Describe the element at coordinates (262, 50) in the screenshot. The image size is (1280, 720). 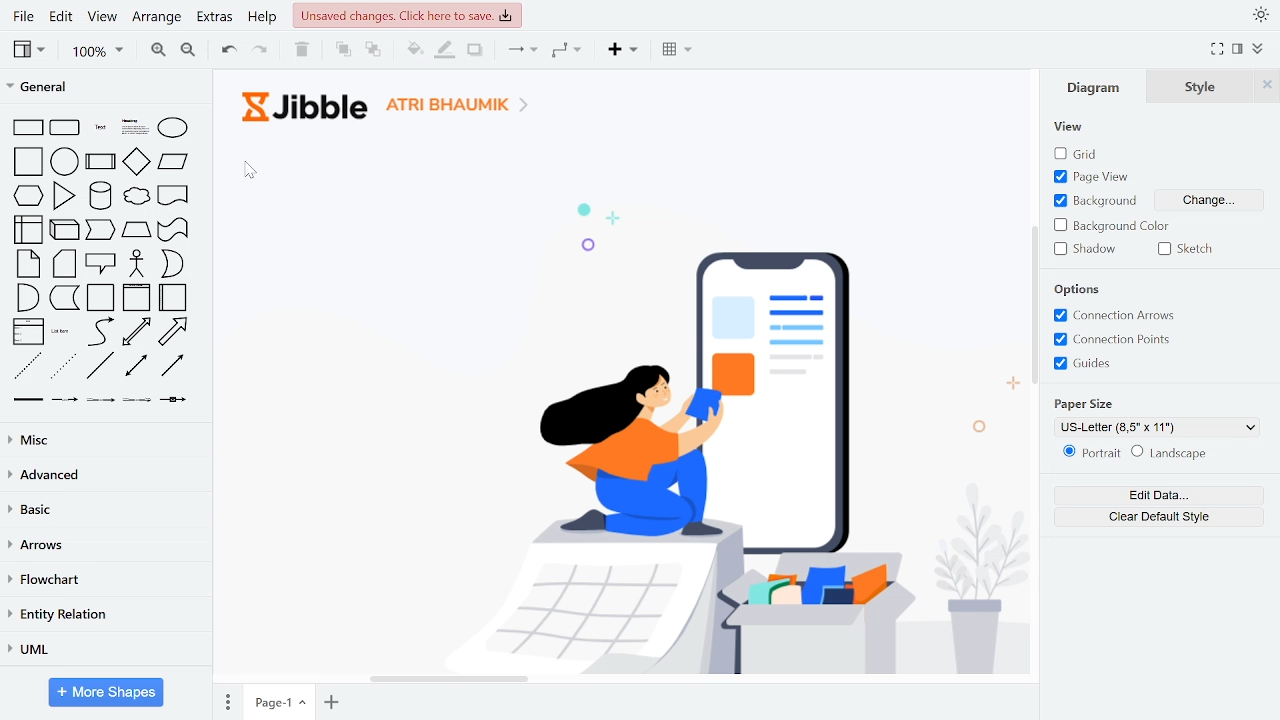
I see `redo` at that location.